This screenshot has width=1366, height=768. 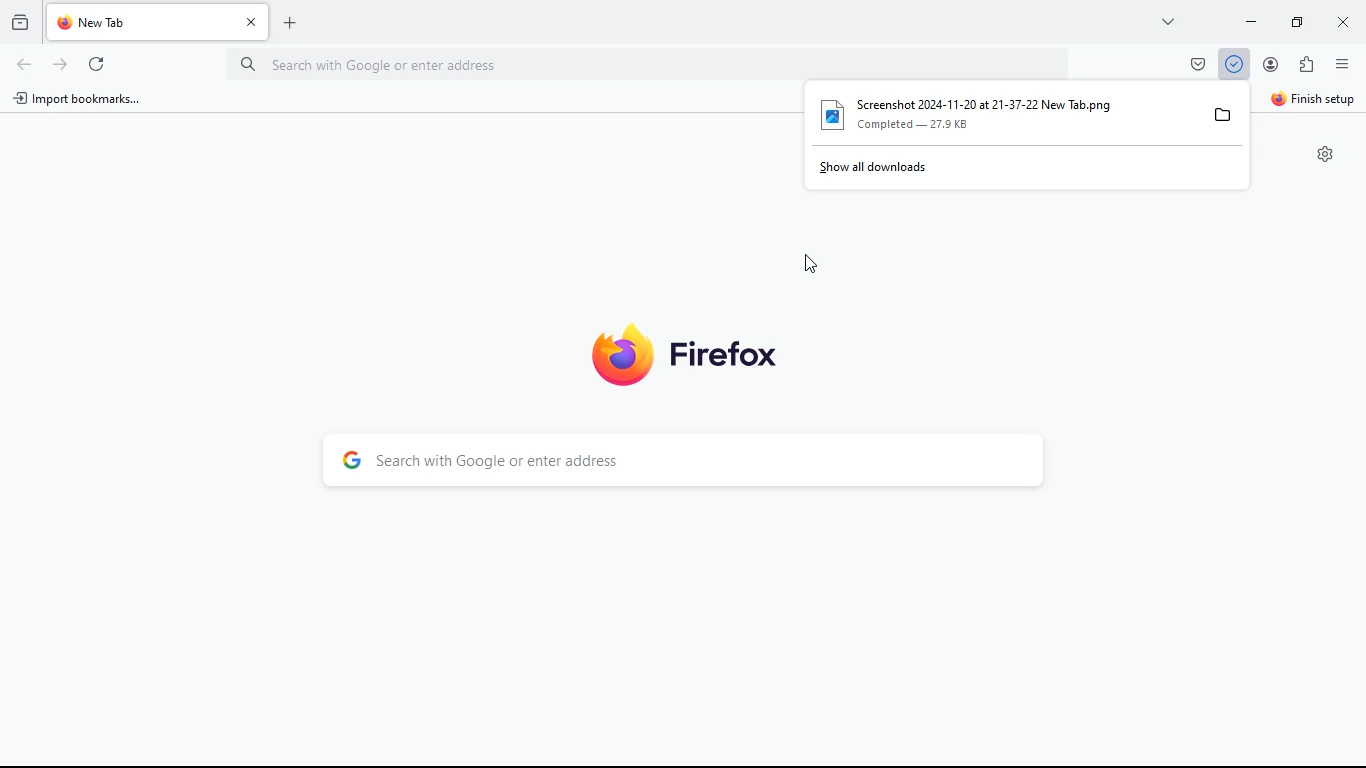 What do you see at coordinates (97, 66) in the screenshot?
I see `refresh` at bounding box center [97, 66].